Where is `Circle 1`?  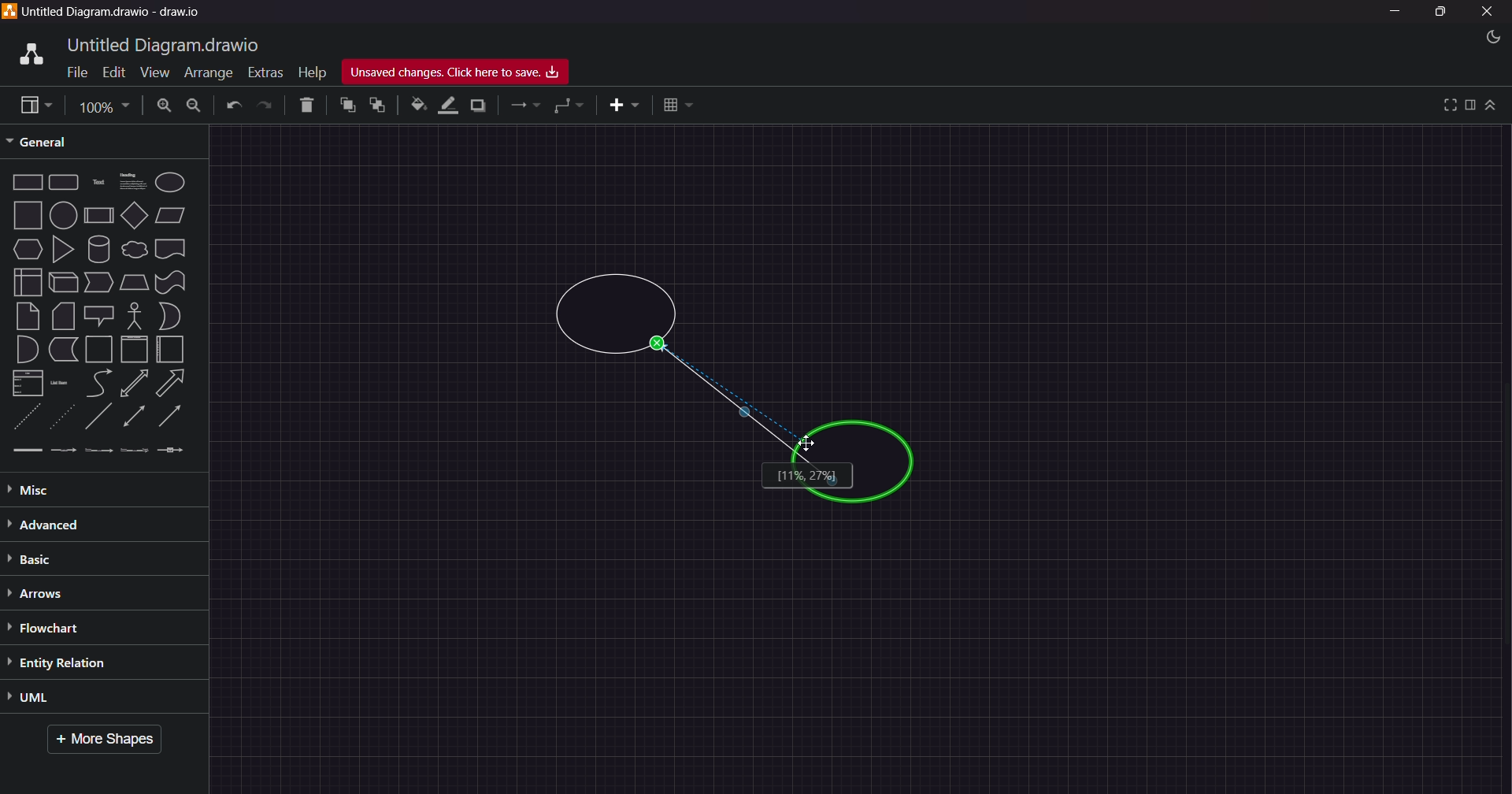
Circle 1 is located at coordinates (616, 315).